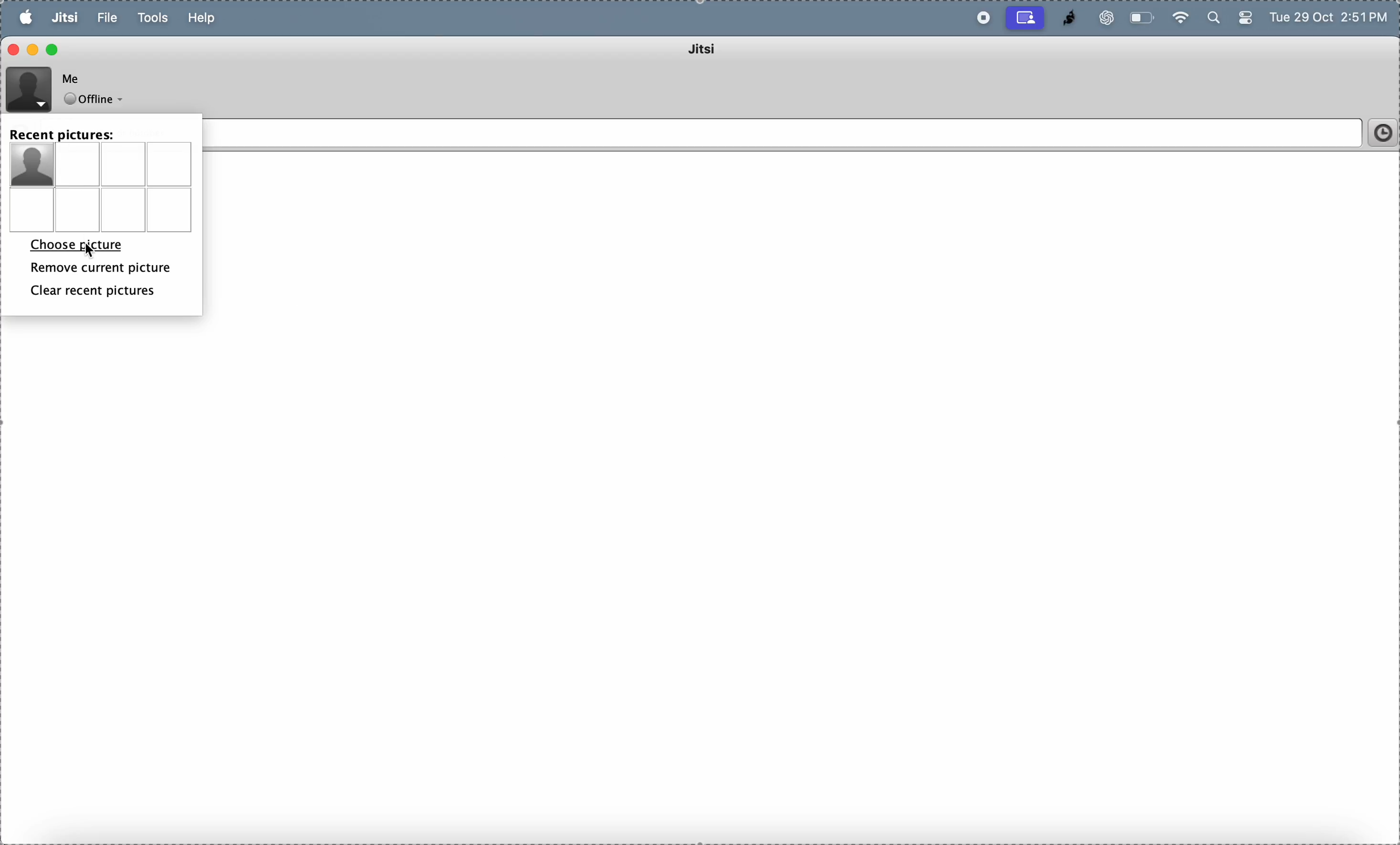 This screenshot has width=1400, height=845. What do you see at coordinates (1064, 18) in the screenshot?
I see `jitsi` at bounding box center [1064, 18].